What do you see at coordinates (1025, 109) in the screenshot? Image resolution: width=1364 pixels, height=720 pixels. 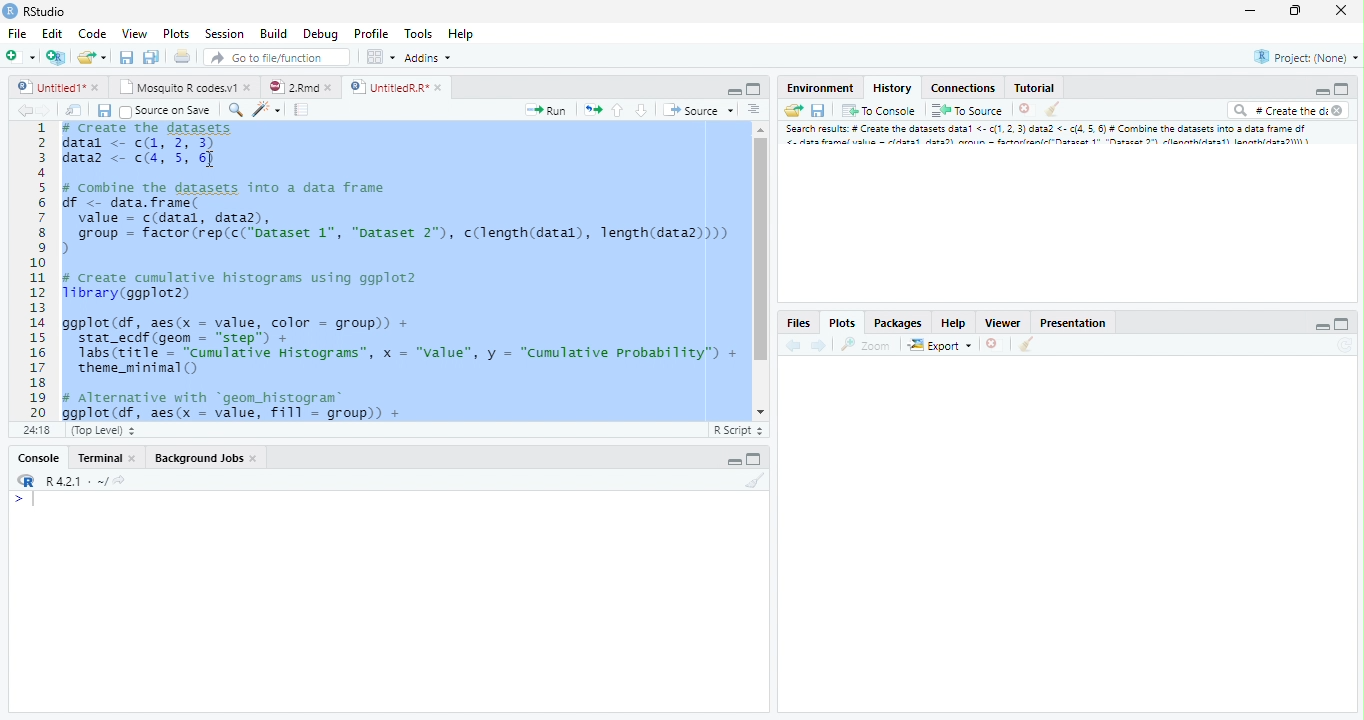 I see `Delete` at bounding box center [1025, 109].